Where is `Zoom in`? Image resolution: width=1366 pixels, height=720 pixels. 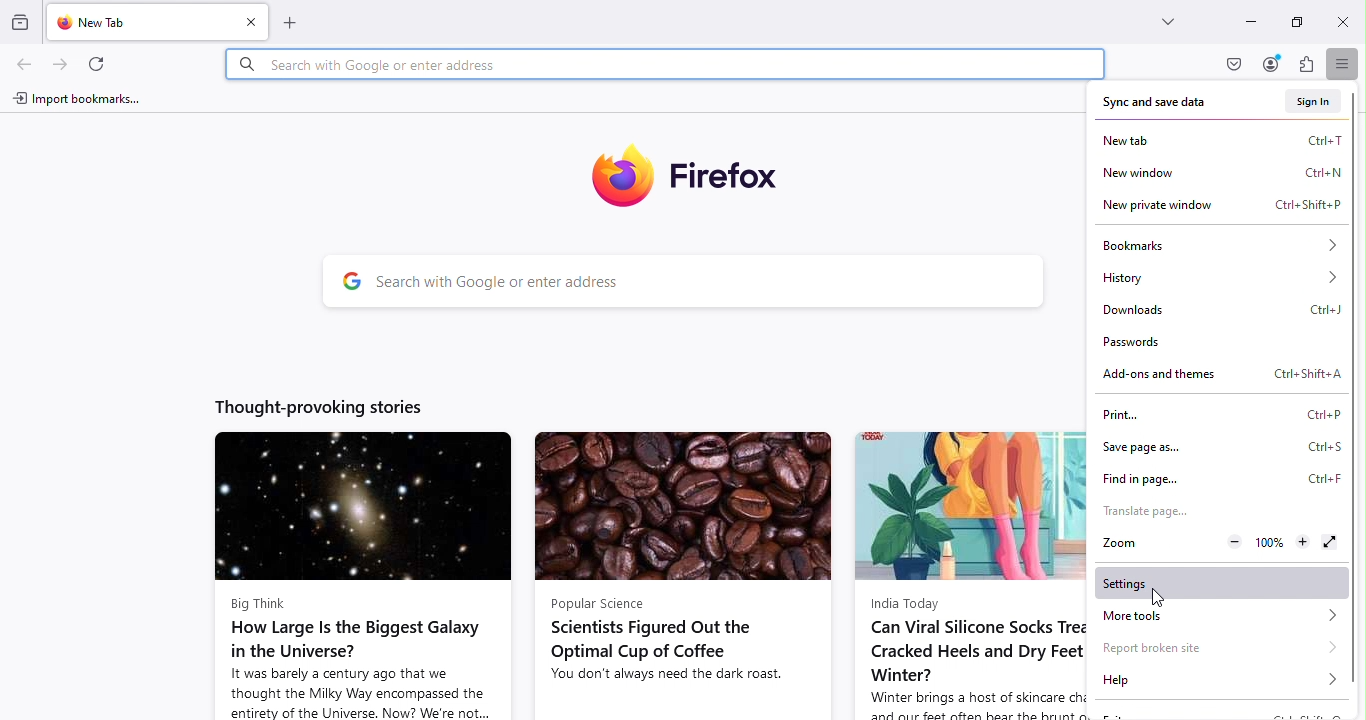
Zoom in is located at coordinates (1301, 542).